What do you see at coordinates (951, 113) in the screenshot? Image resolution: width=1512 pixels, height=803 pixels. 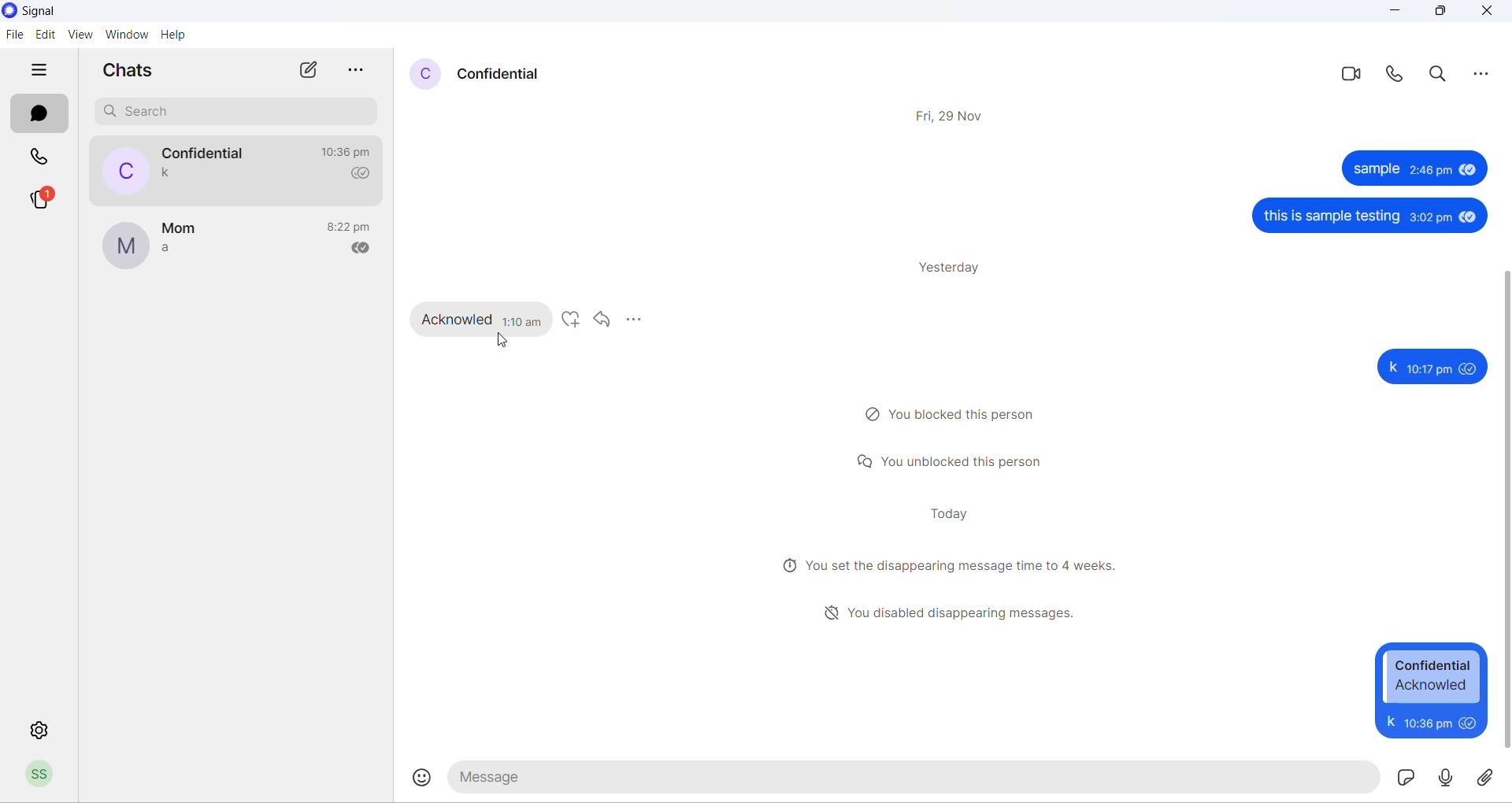 I see `Fri, 29 Nov` at bounding box center [951, 113].